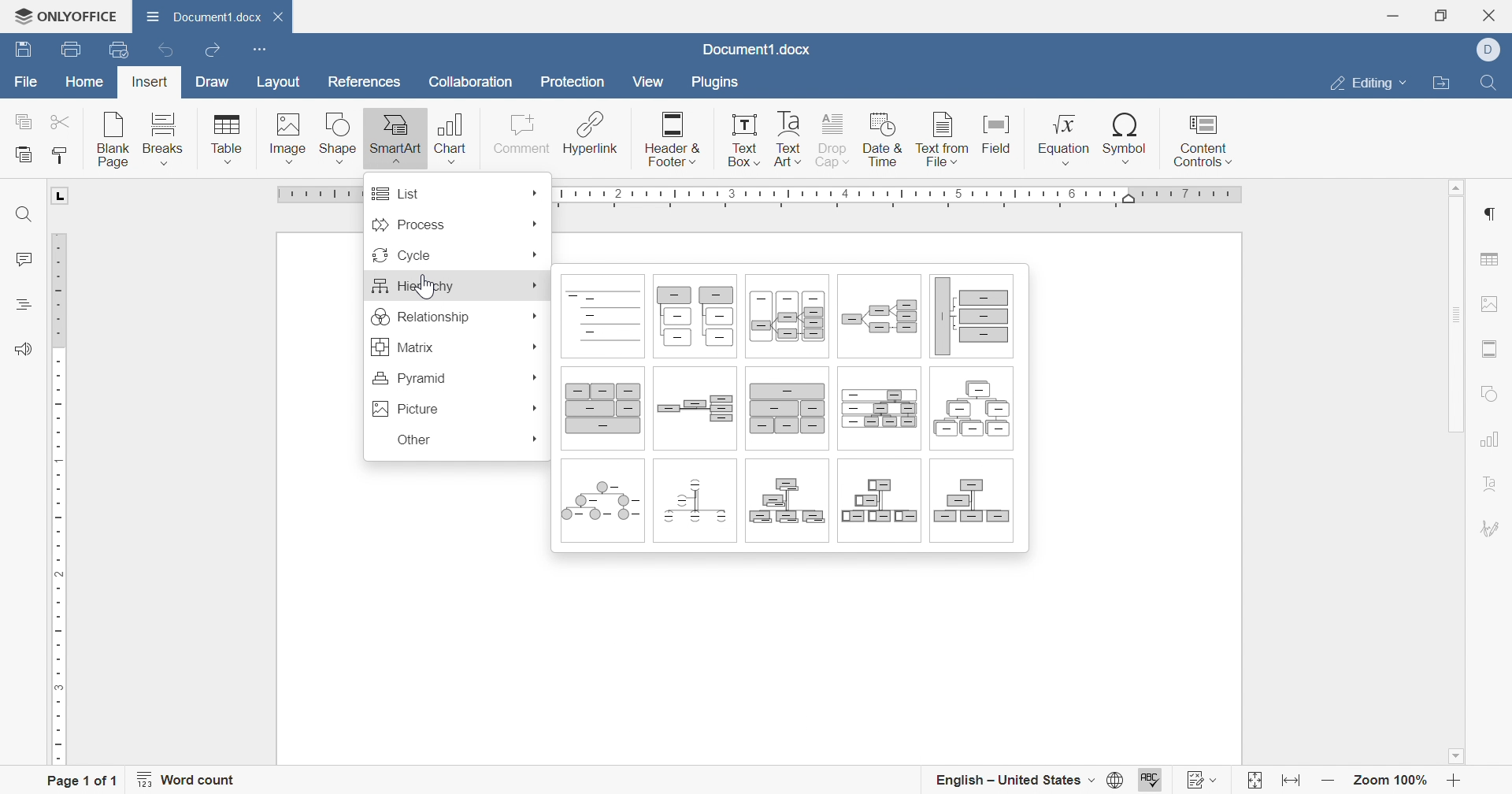 The height and width of the screenshot is (794, 1512). Describe the element at coordinates (403, 348) in the screenshot. I see `Matrix` at that location.